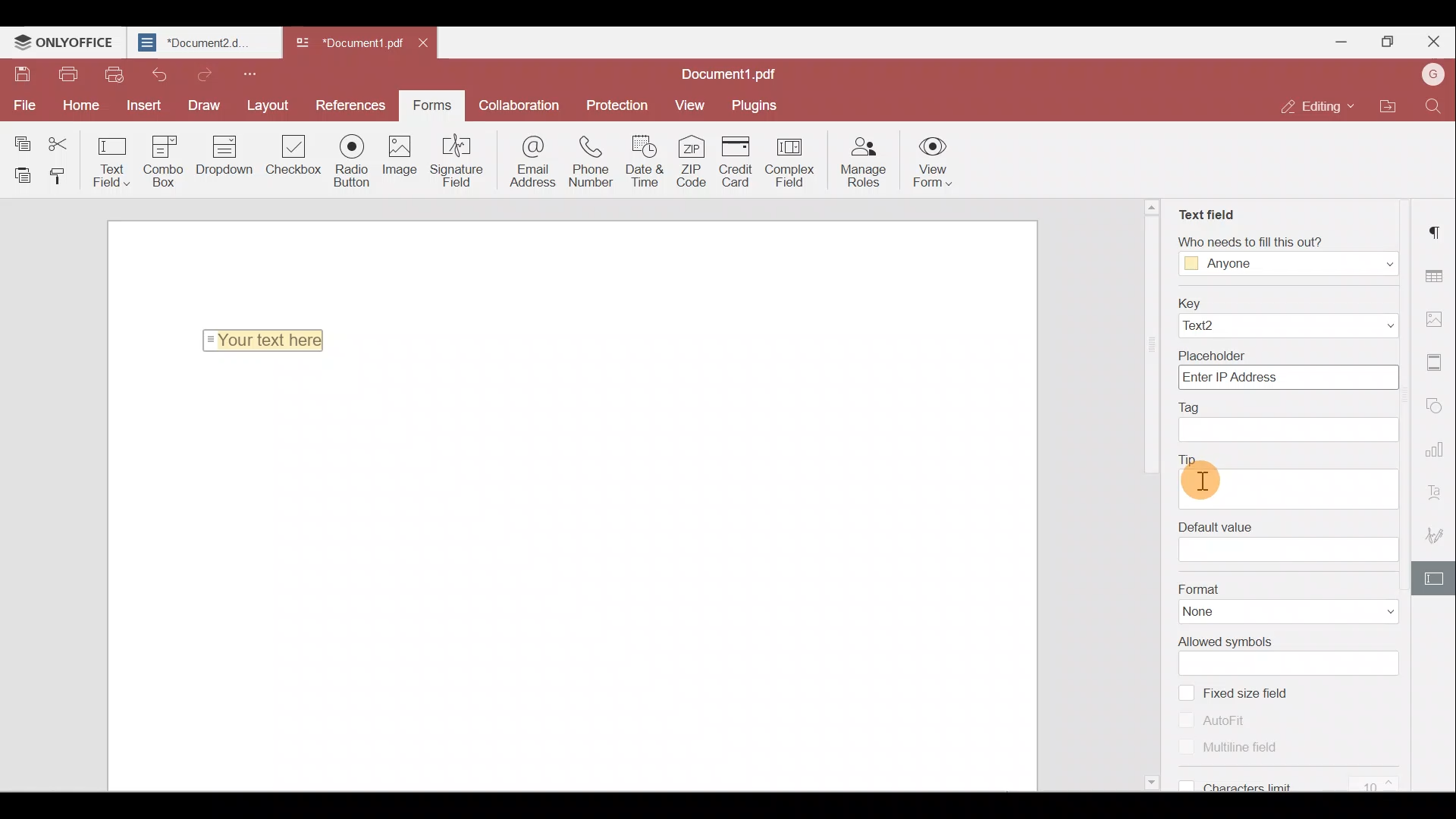 This screenshot has height=819, width=1456. What do you see at coordinates (142, 104) in the screenshot?
I see `Insert` at bounding box center [142, 104].